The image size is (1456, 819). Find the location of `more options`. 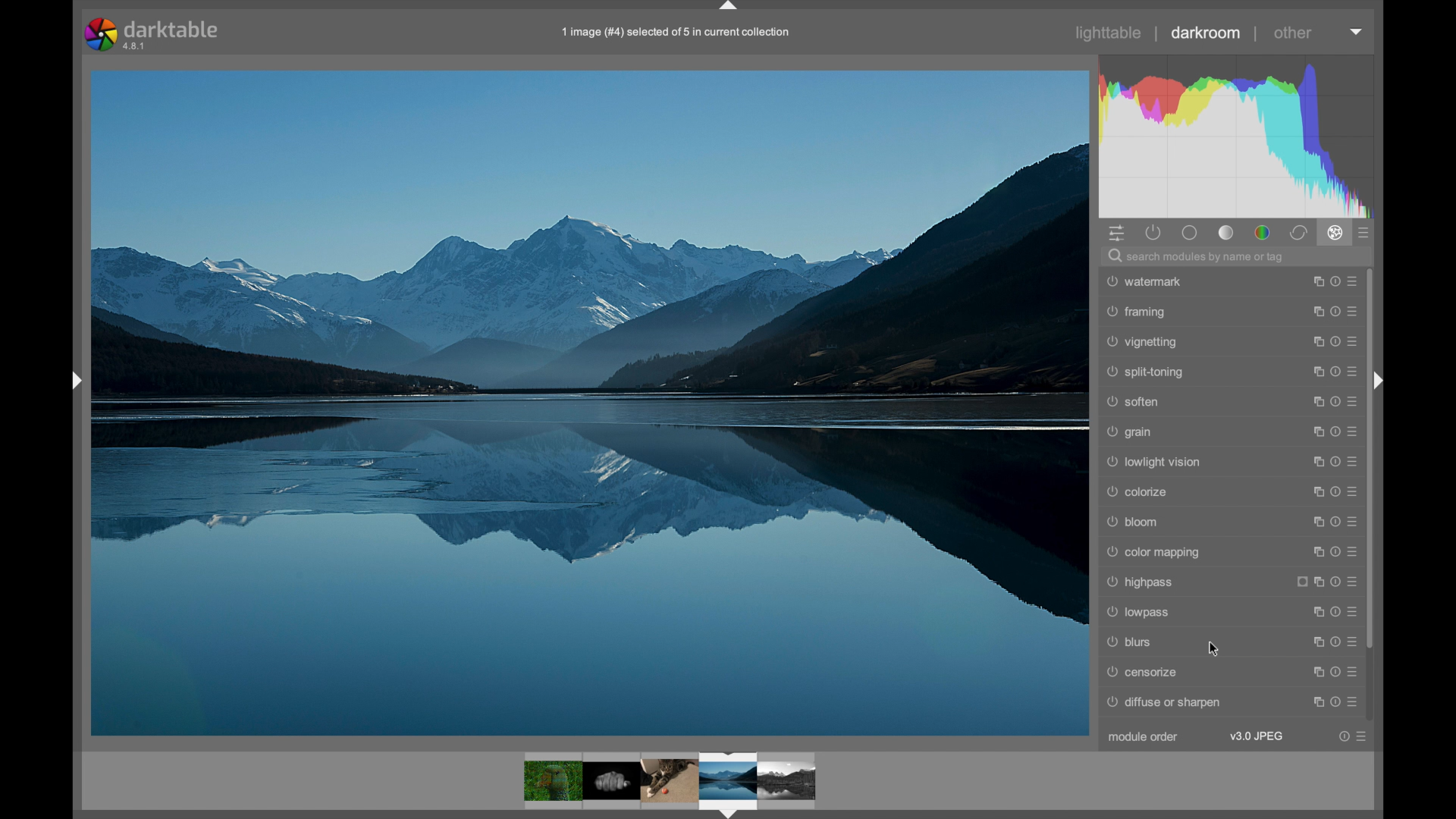

more options is located at coordinates (1363, 736).